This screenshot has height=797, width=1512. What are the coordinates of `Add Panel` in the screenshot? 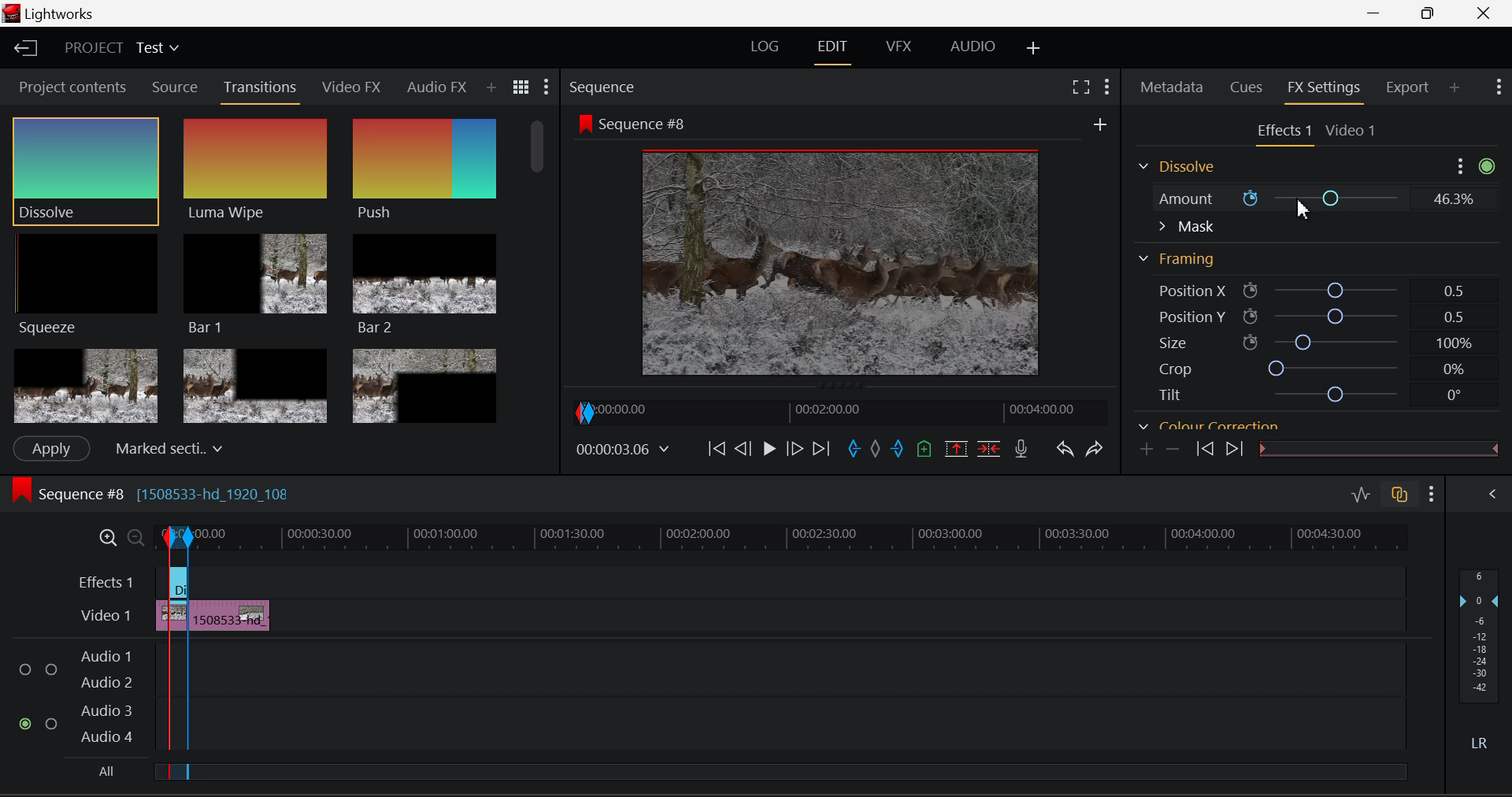 It's located at (491, 88).